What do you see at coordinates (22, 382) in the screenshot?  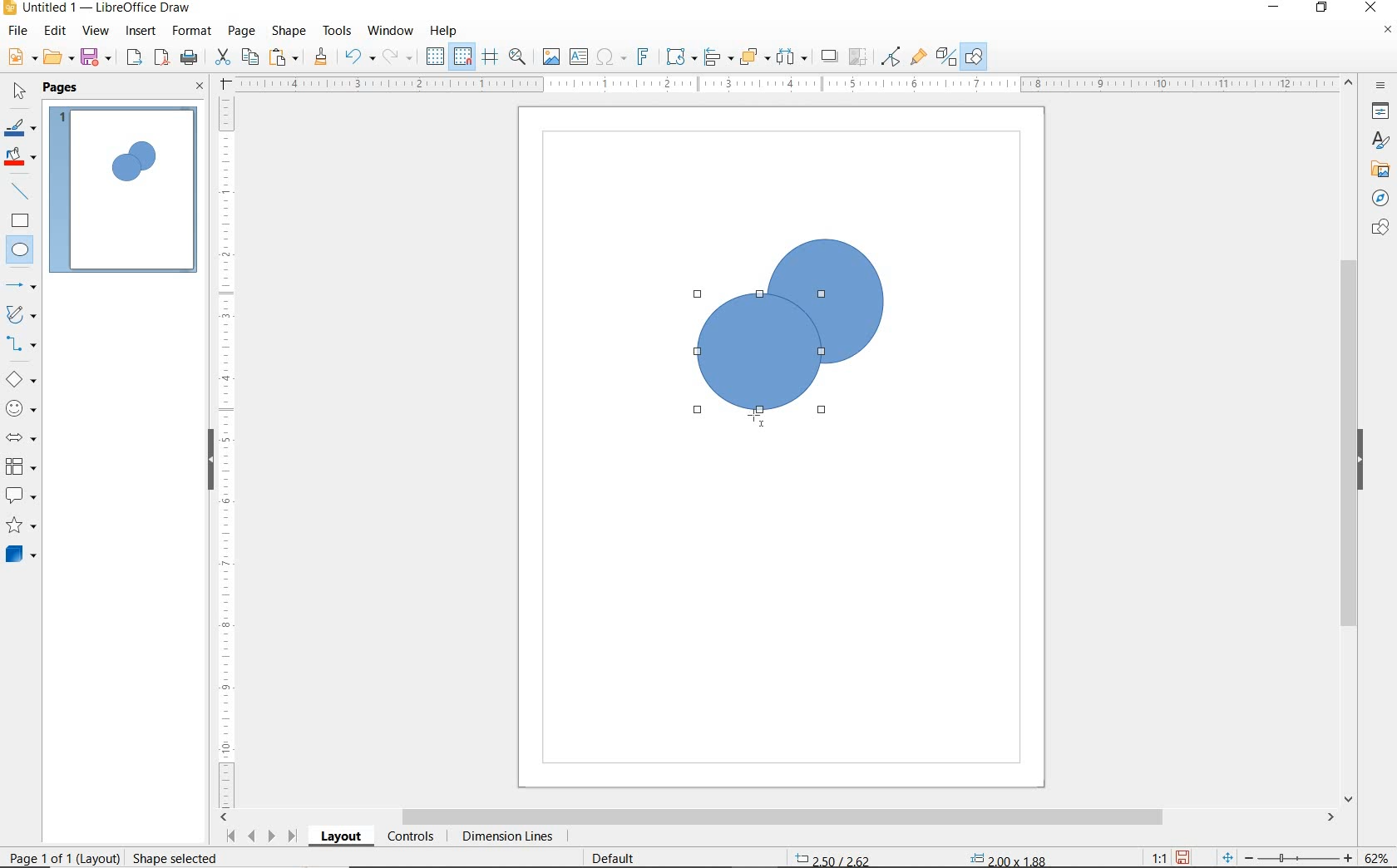 I see `BASIC SHAPES` at bounding box center [22, 382].